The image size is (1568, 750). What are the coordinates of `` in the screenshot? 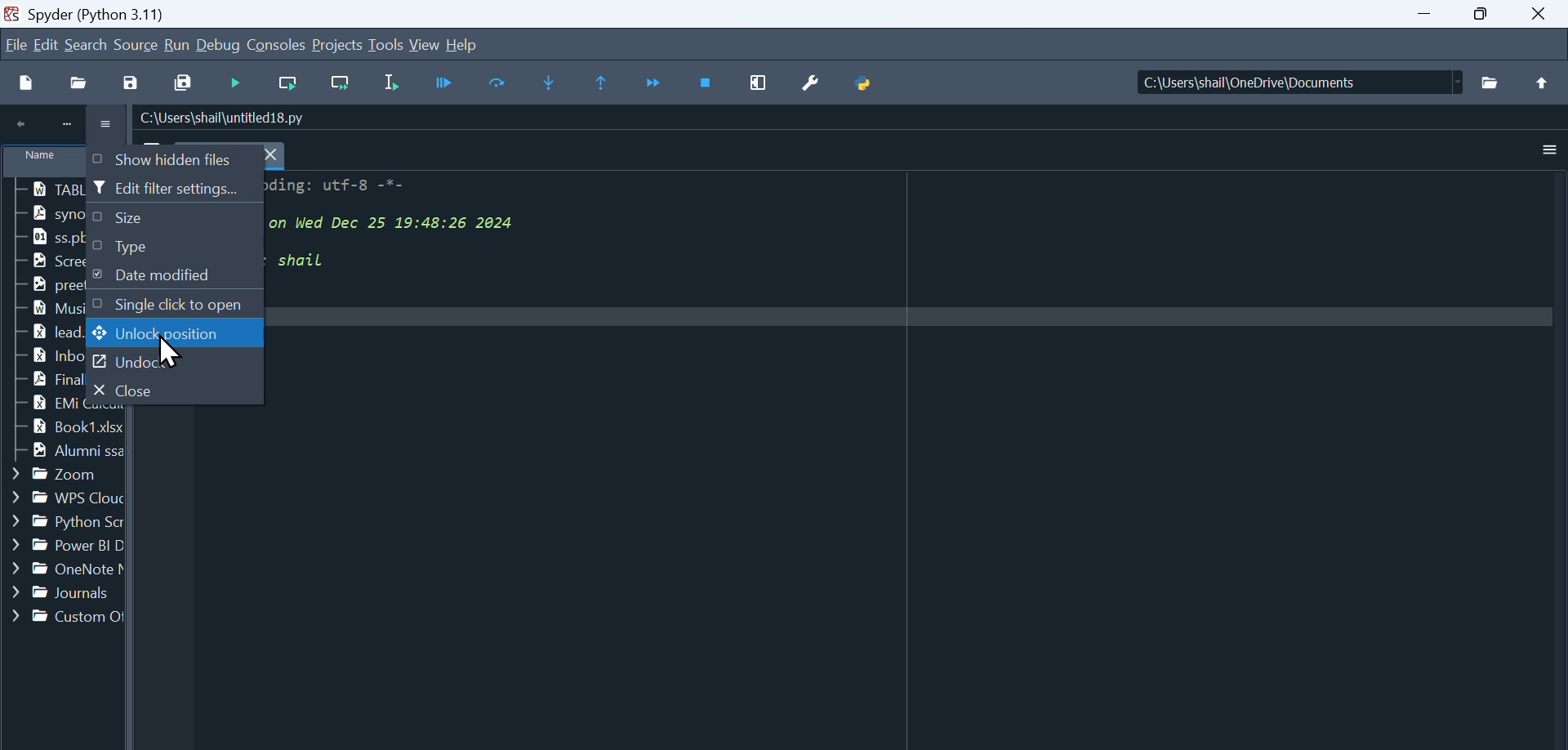 It's located at (177, 46).